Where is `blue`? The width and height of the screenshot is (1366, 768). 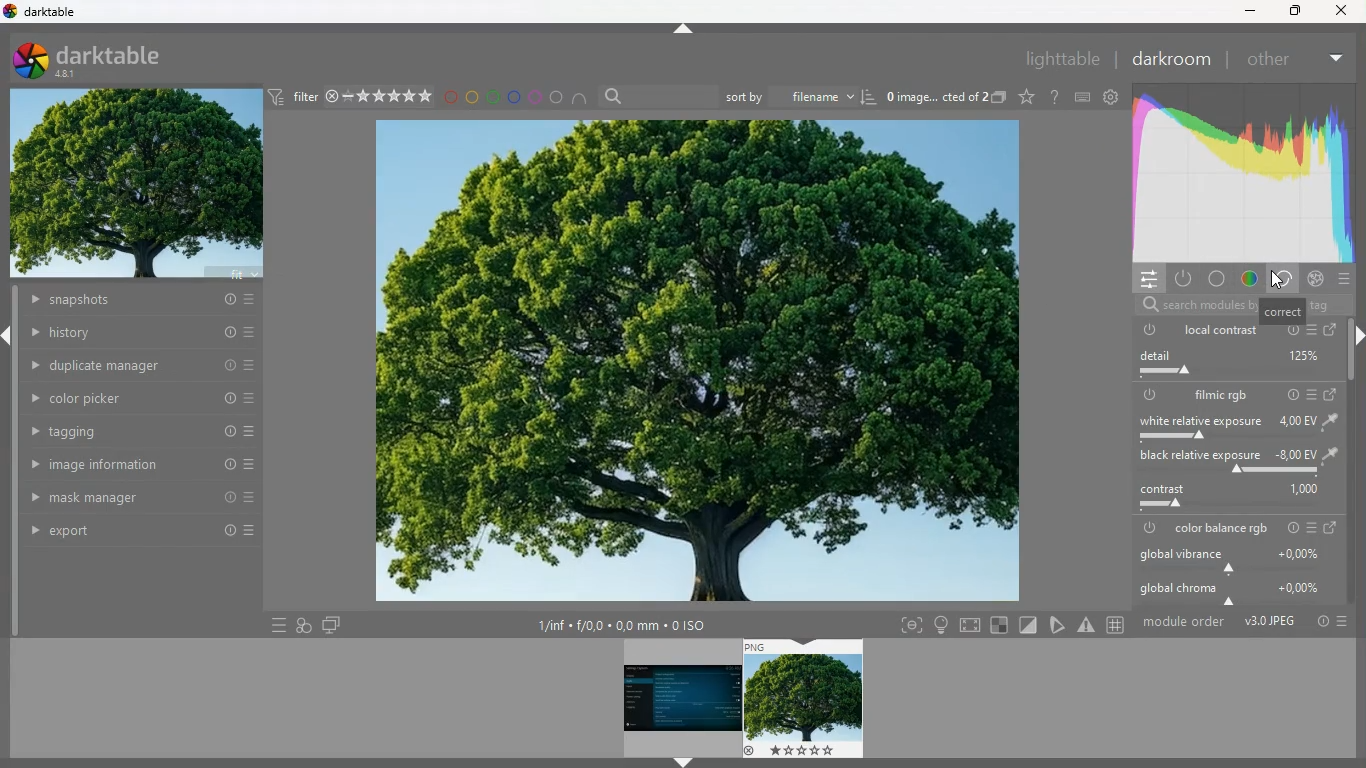
blue is located at coordinates (515, 97).